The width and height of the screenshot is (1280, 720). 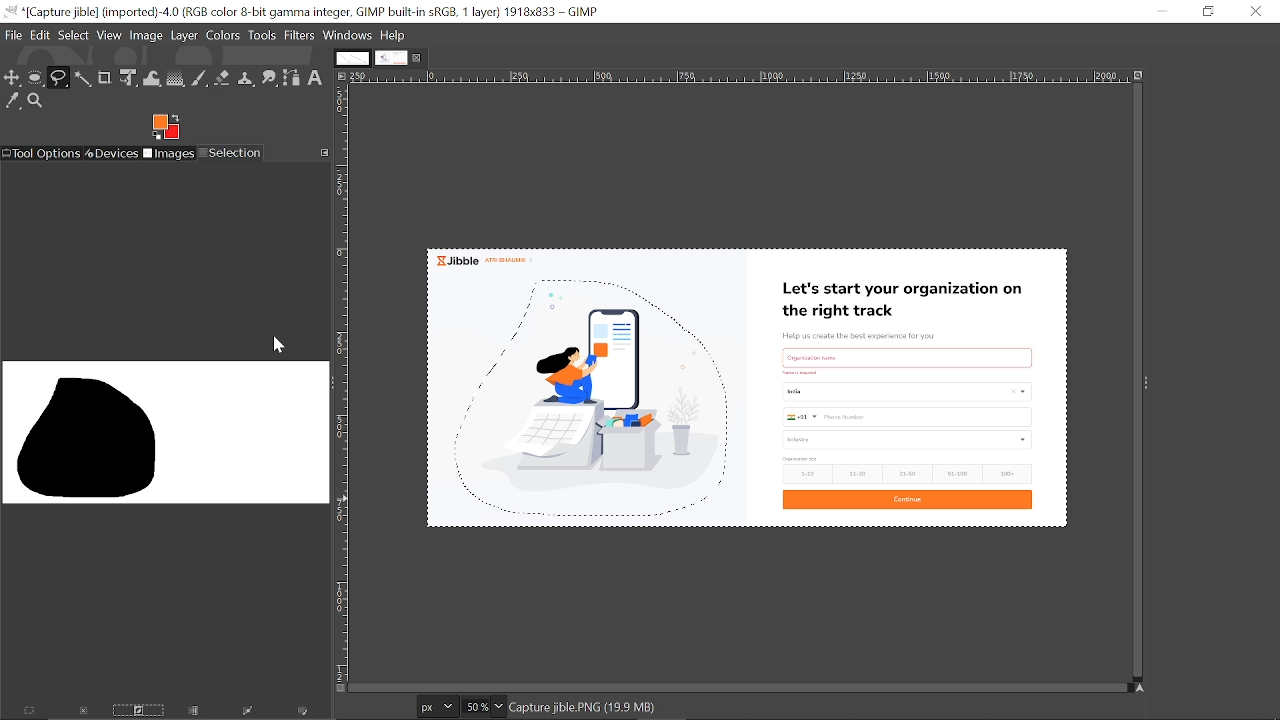 I want to click on Colors, so click(x=225, y=35).